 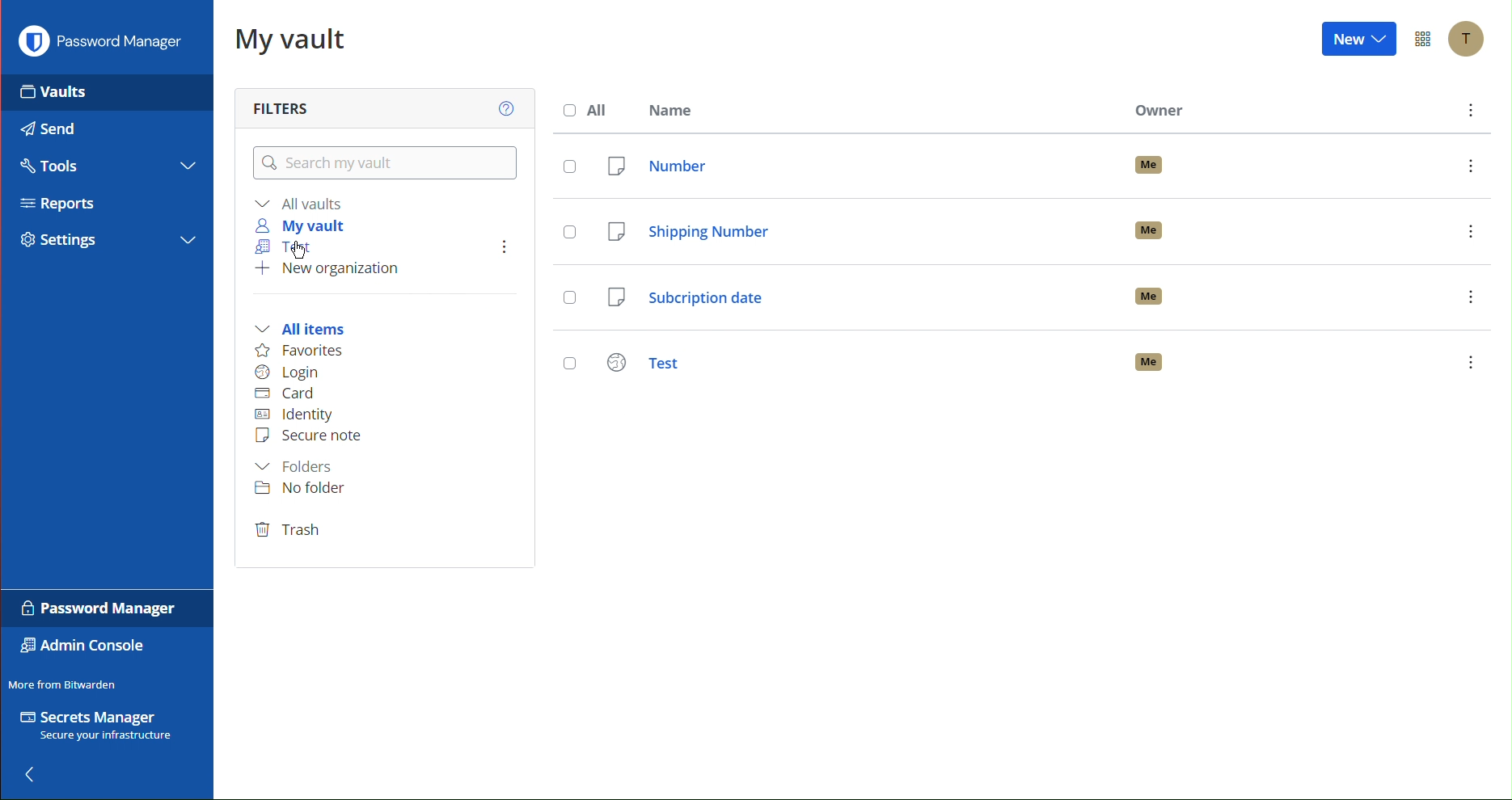 I want to click on Vaults, so click(x=60, y=94).